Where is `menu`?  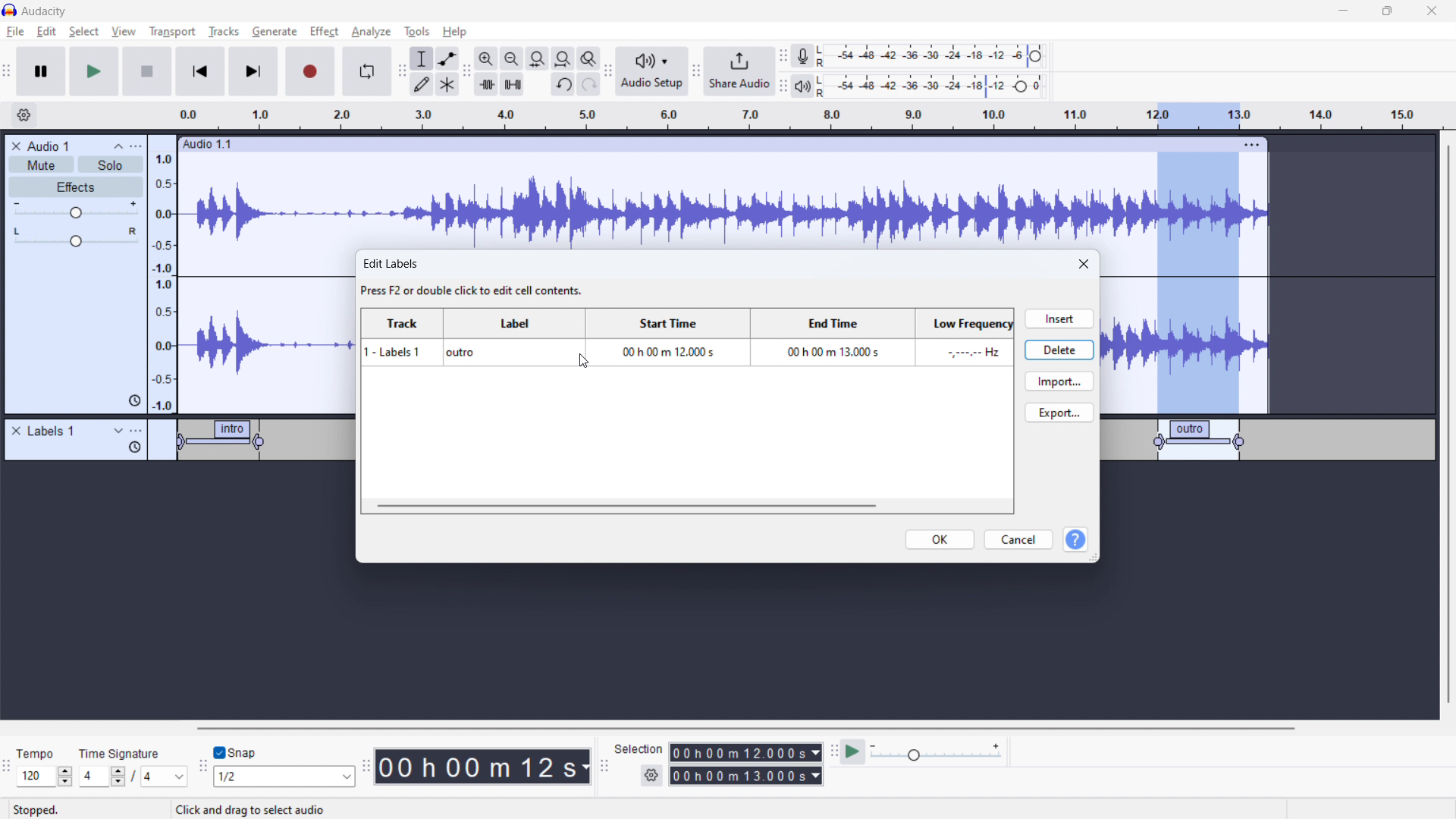 menu is located at coordinates (137, 146).